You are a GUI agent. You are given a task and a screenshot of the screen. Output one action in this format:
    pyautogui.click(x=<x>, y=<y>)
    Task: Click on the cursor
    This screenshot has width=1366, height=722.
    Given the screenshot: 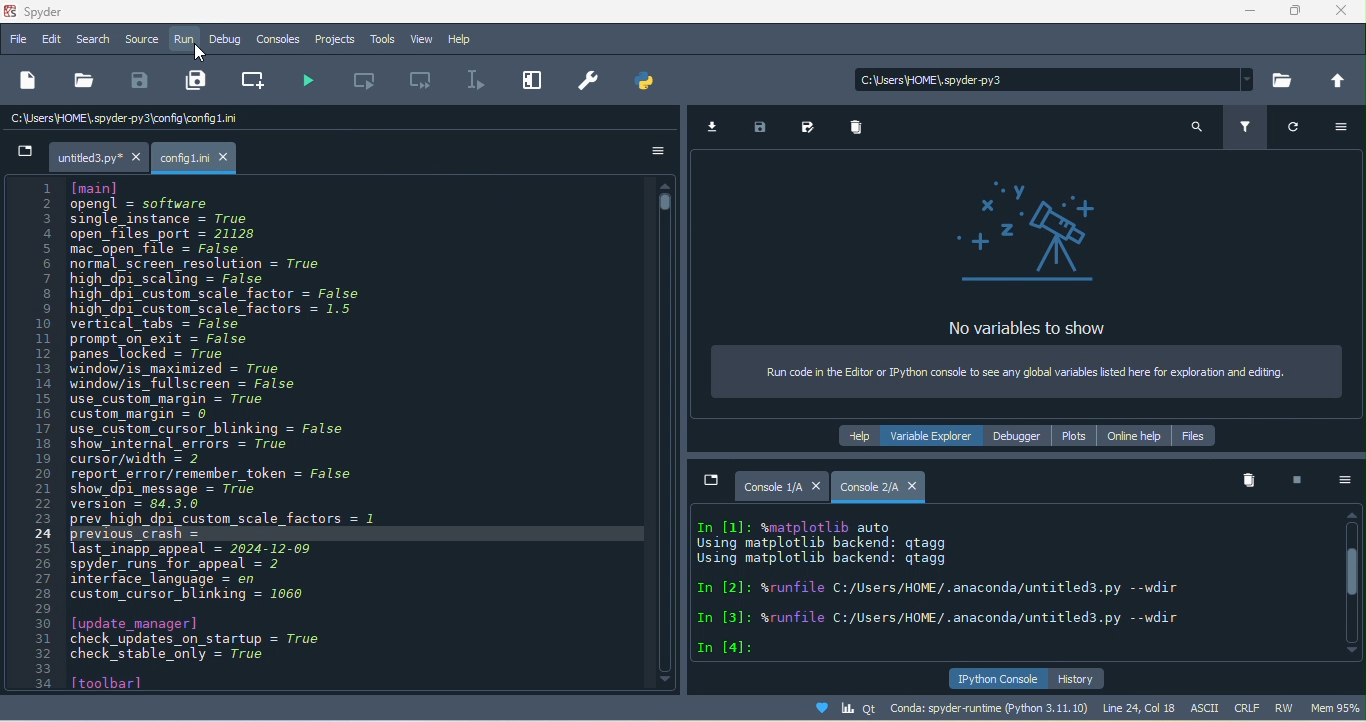 What is the action you would take?
    pyautogui.click(x=196, y=52)
    